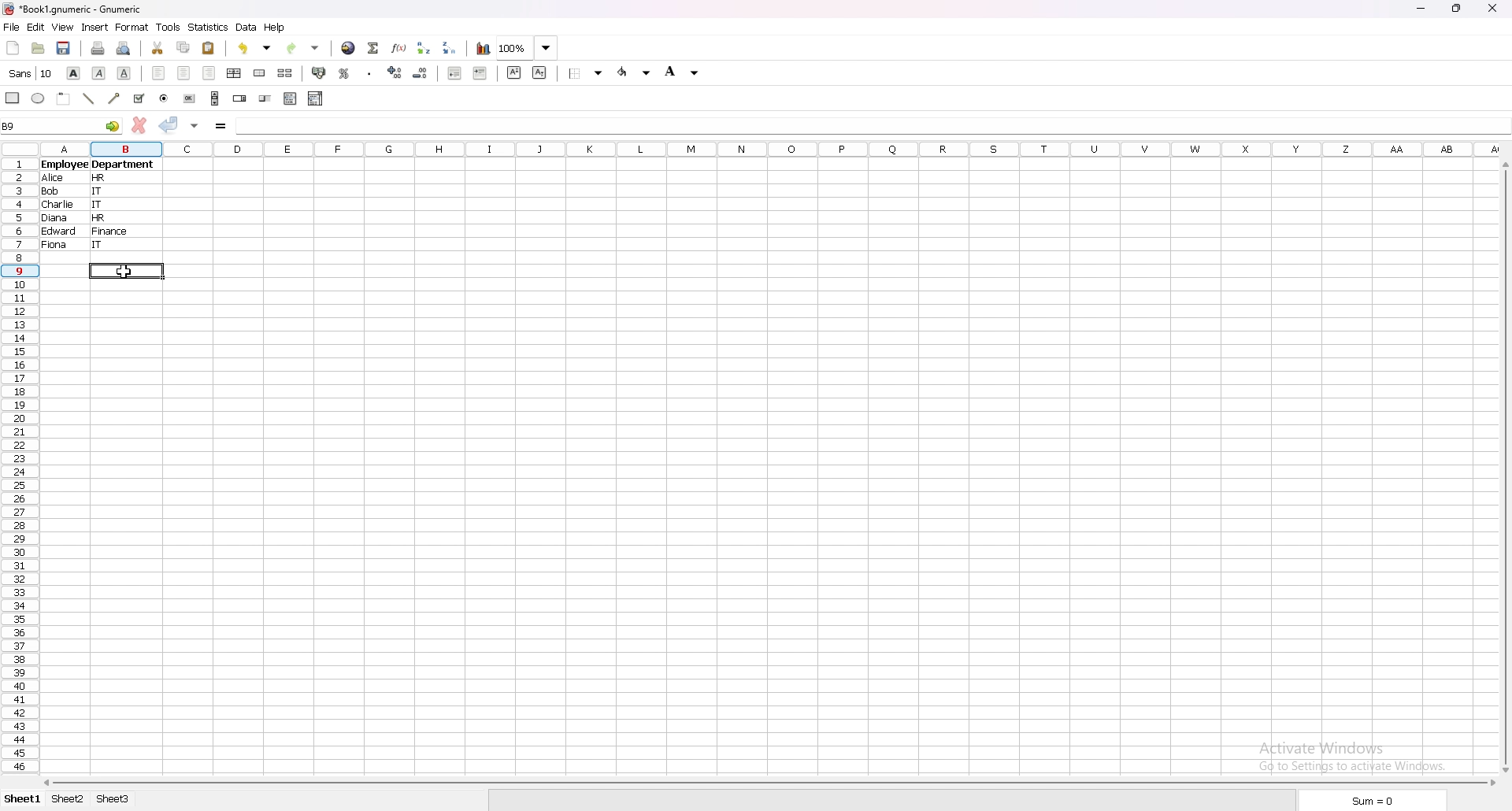 The height and width of the screenshot is (811, 1512). I want to click on rectangle, so click(13, 97).